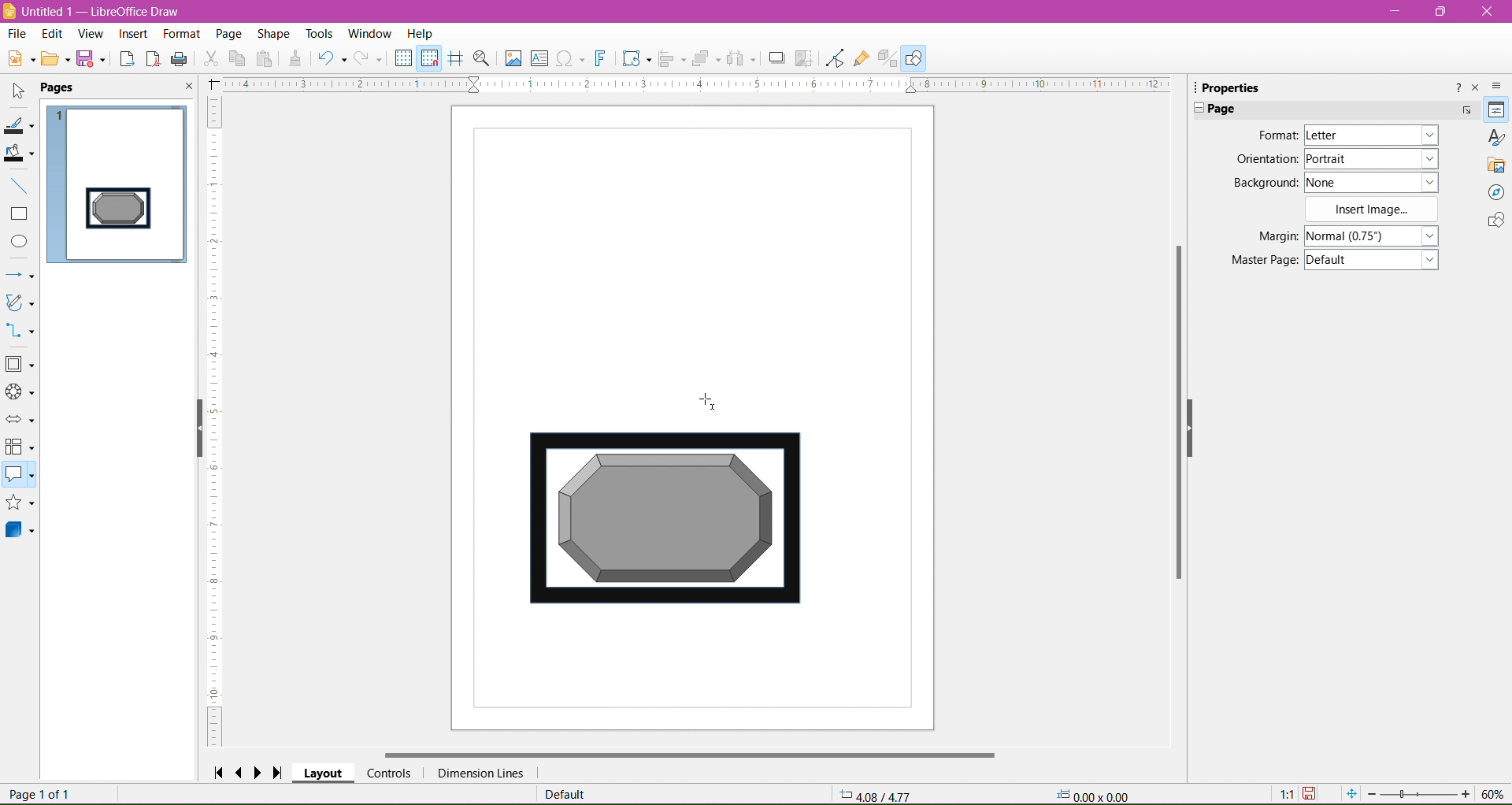 The image size is (1512, 805). Describe the element at coordinates (20, 214) in the screenshot. I see `Rectangle` at that location.